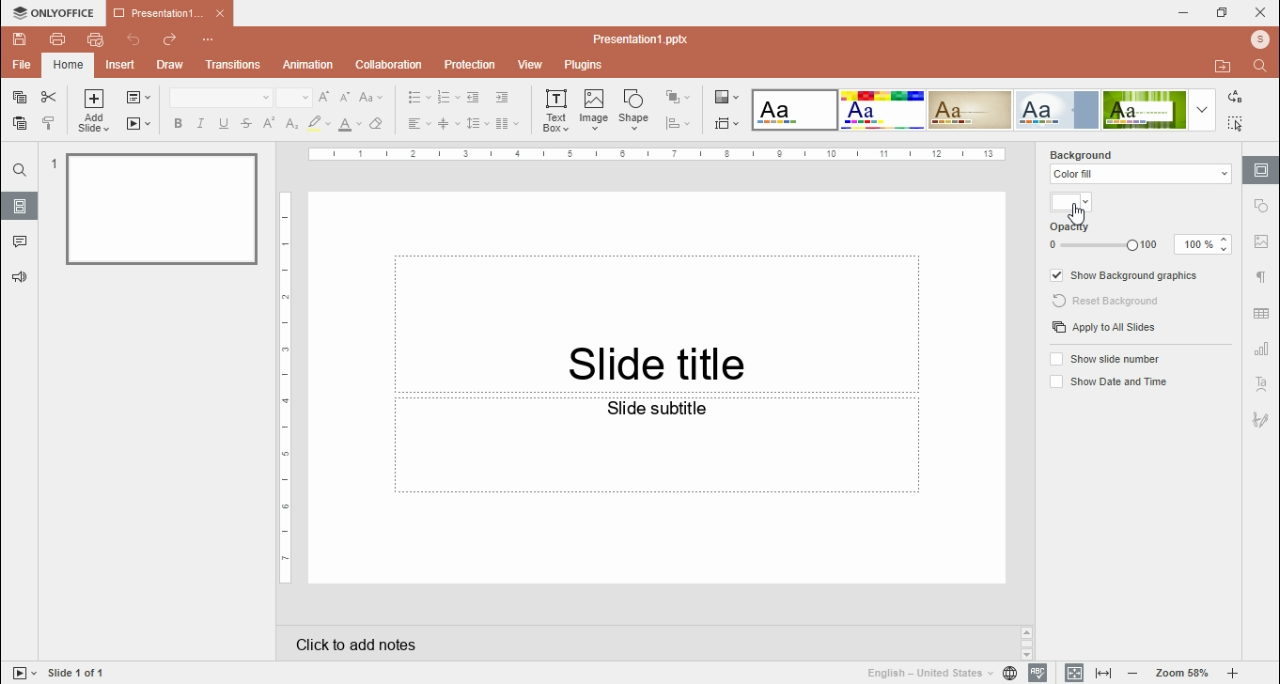 The height and width of the screenshot is (684, 1280). Describe the element at coordinates (20, 206) in the screenshot. I see `slides` at that location.